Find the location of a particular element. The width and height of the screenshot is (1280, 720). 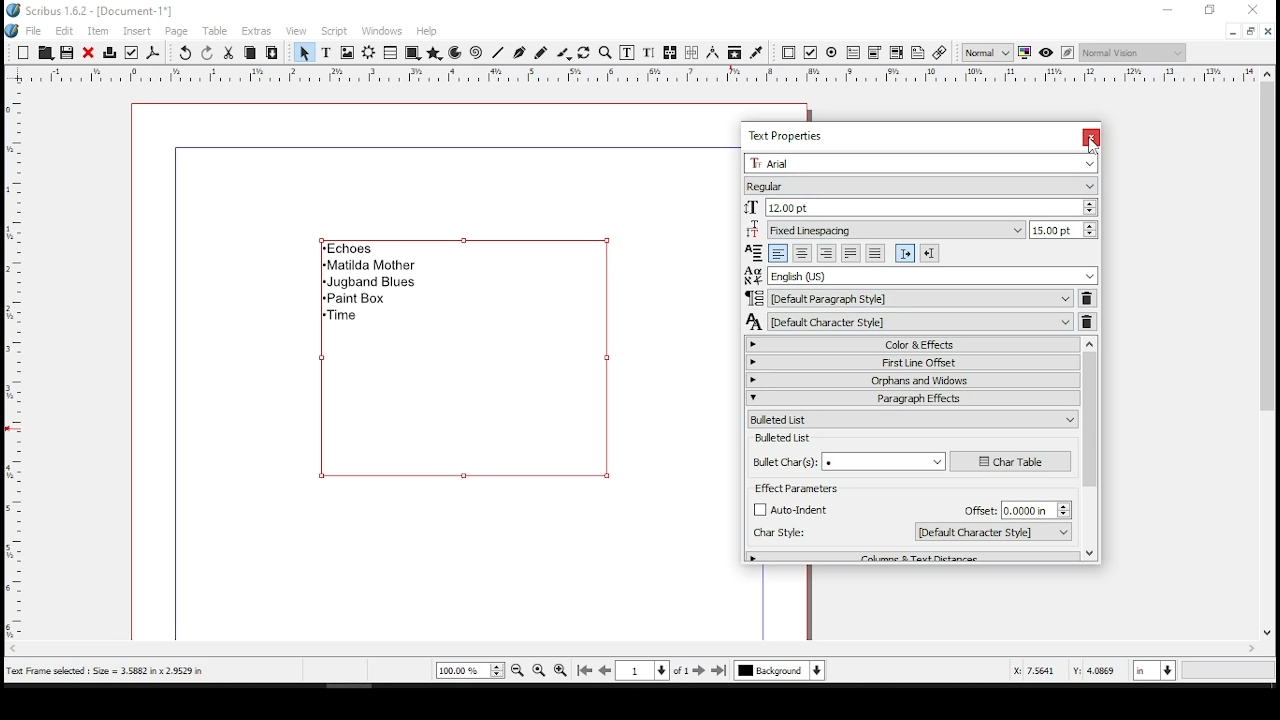

select layer is located at coordinates (780, 670).